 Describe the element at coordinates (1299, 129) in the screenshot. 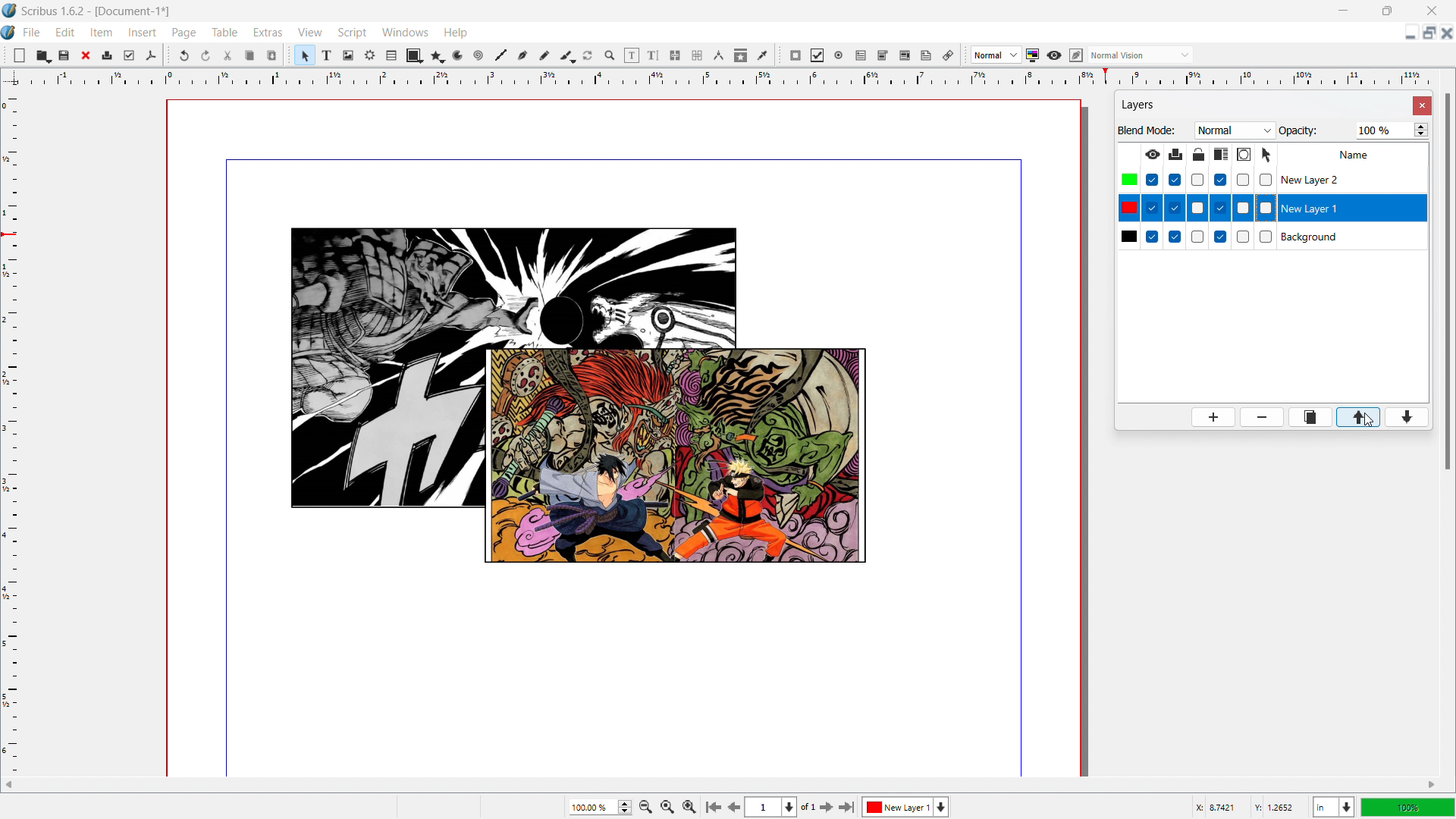

I see `Opacity` at that location.